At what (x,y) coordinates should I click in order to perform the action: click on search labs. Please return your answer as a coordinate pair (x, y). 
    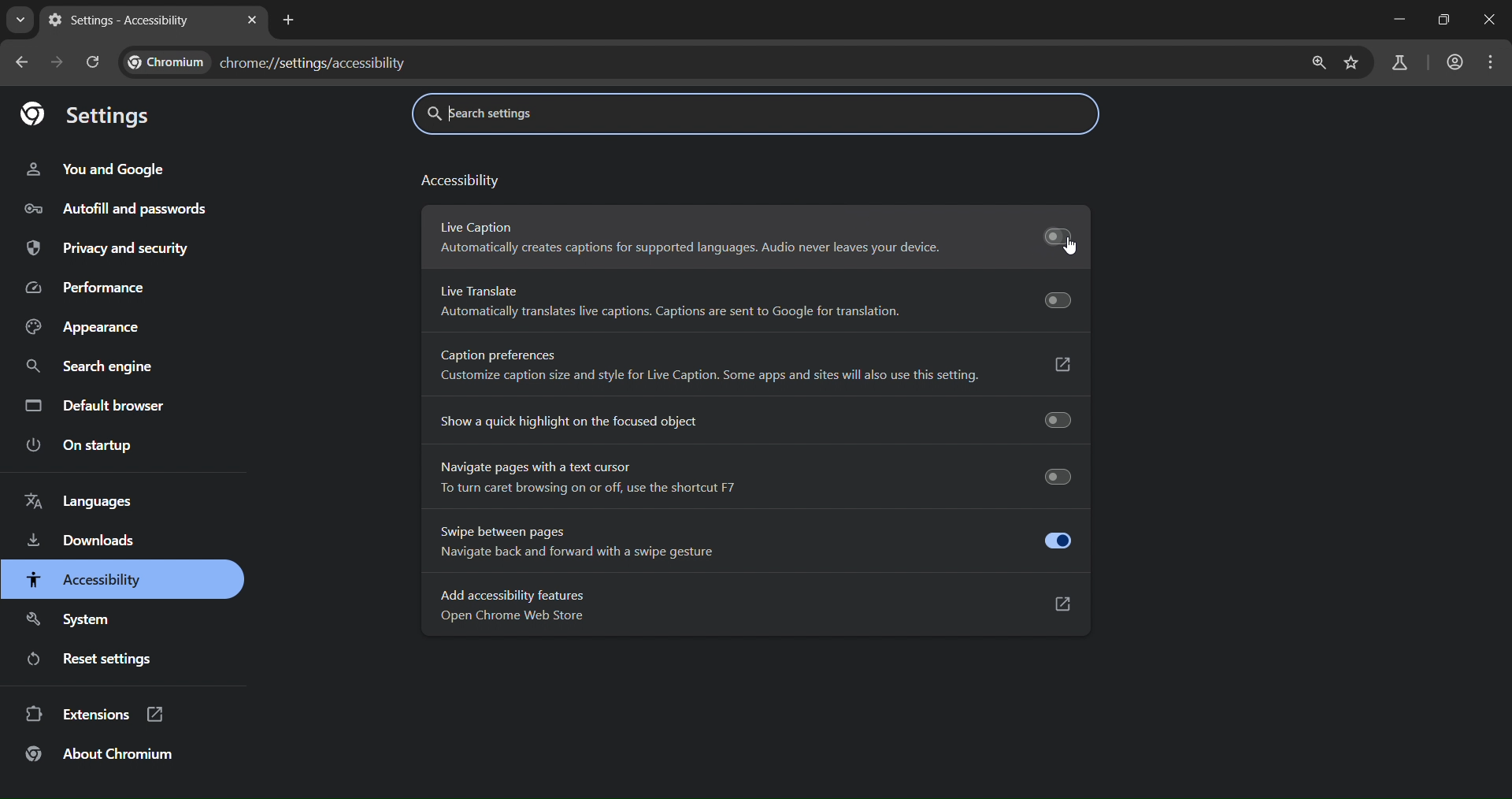
    Looking at the image, I should click on (1403, 65).